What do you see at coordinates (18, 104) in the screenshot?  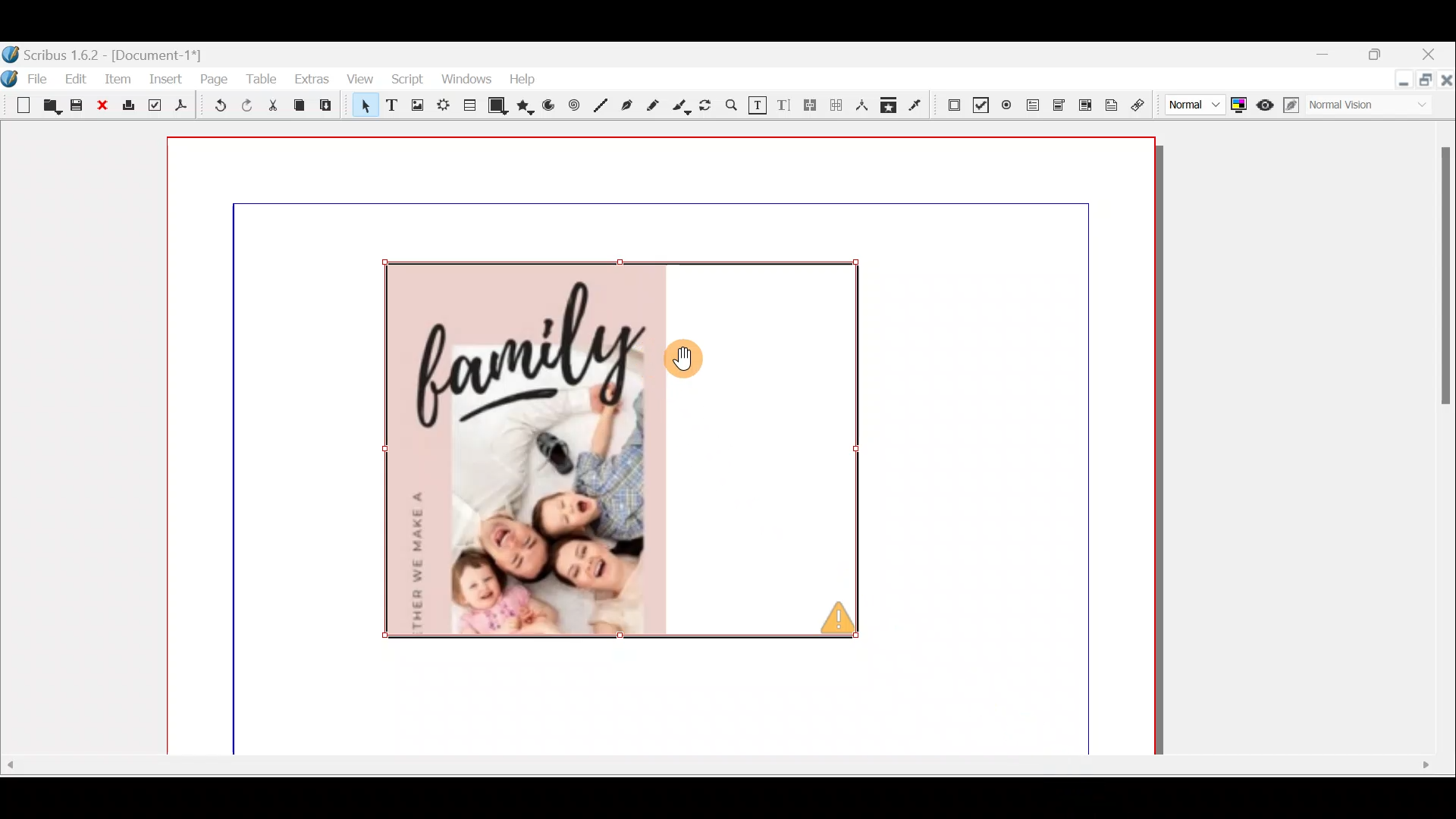 I see `New` at bounding box center [18, 104].